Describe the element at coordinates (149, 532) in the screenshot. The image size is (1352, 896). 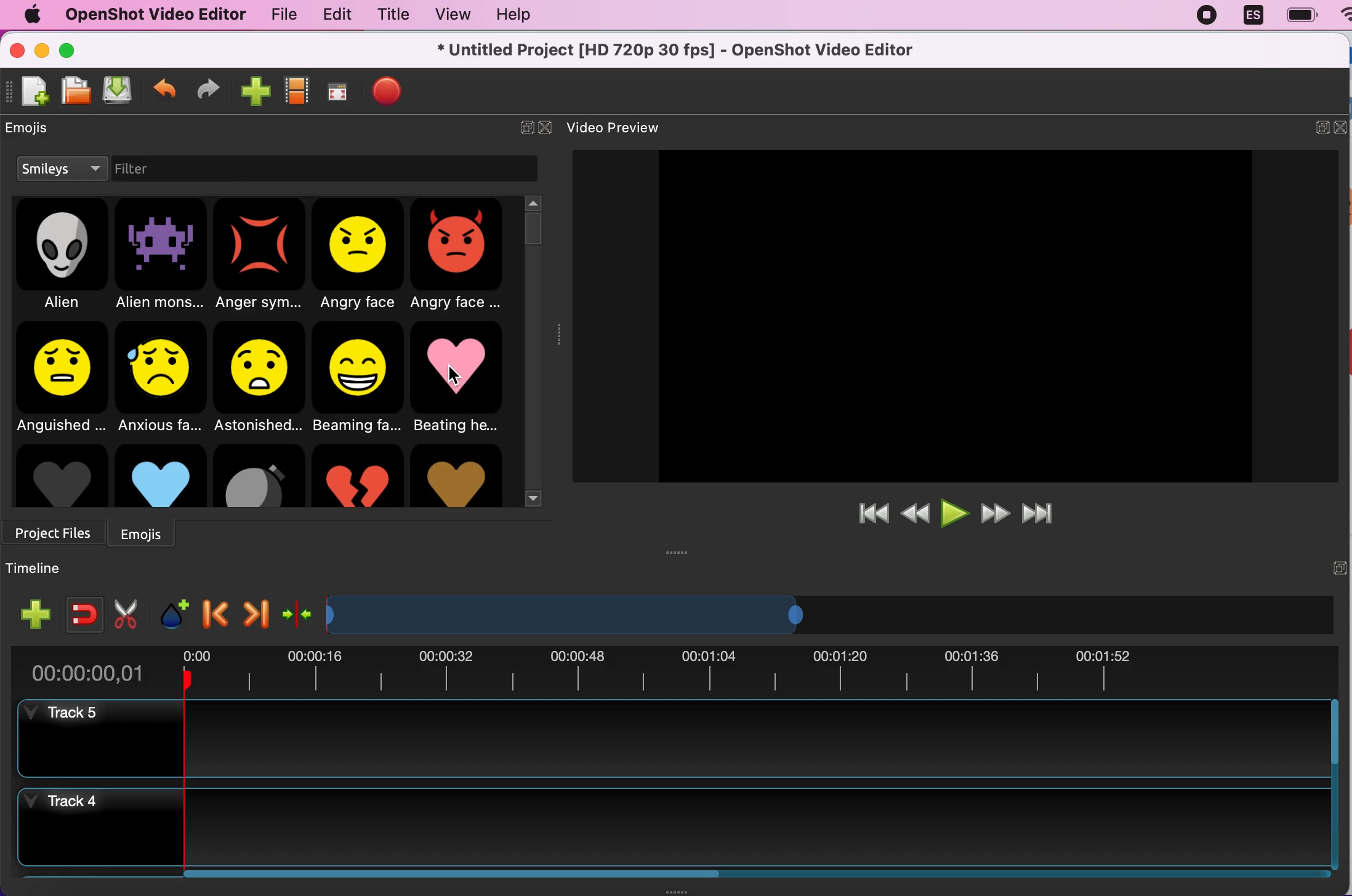
I see `emojis` at that location.